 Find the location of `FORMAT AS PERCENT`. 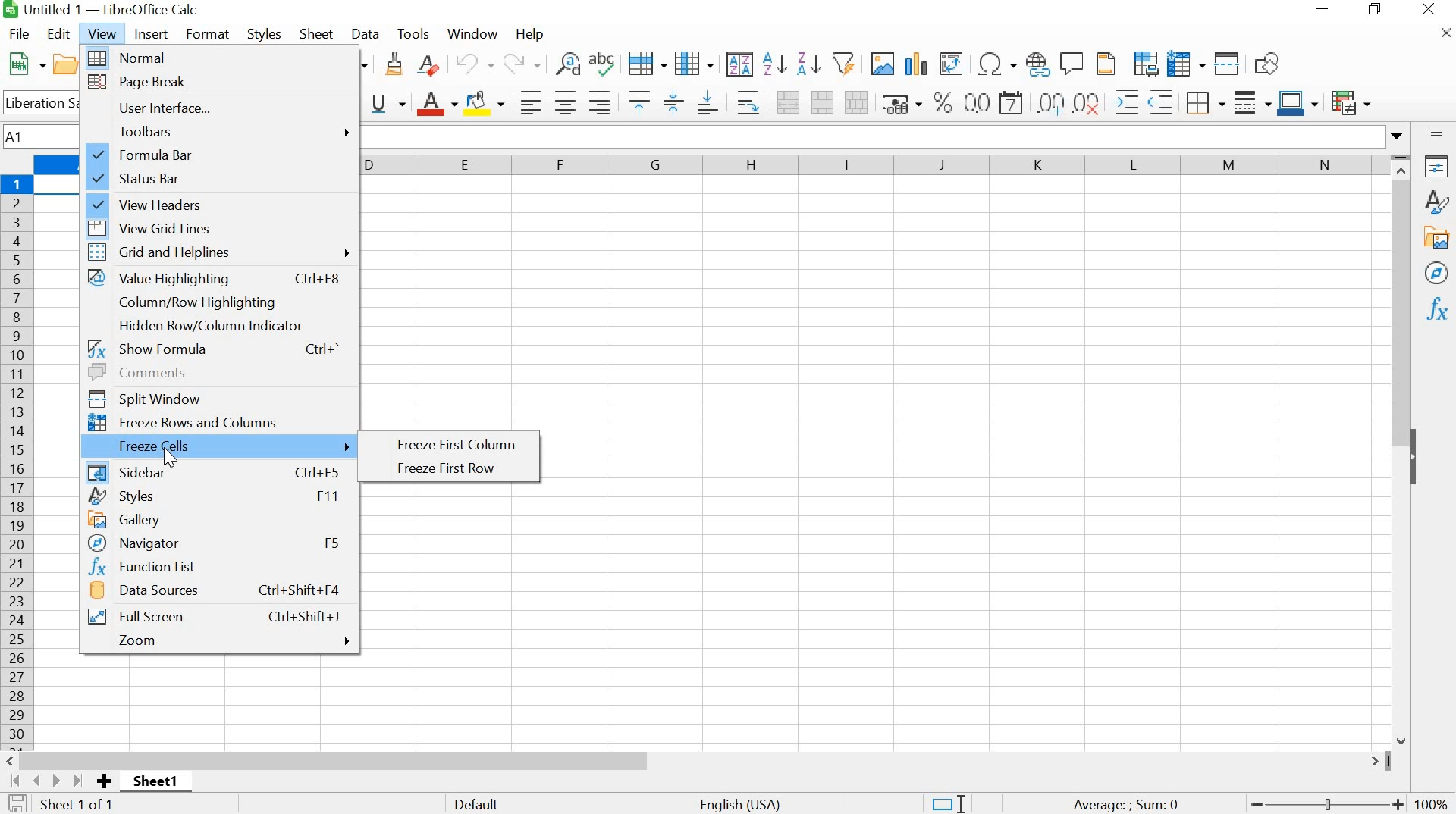

FORMAT AS PERCENT is located at coordinates (943, 102).